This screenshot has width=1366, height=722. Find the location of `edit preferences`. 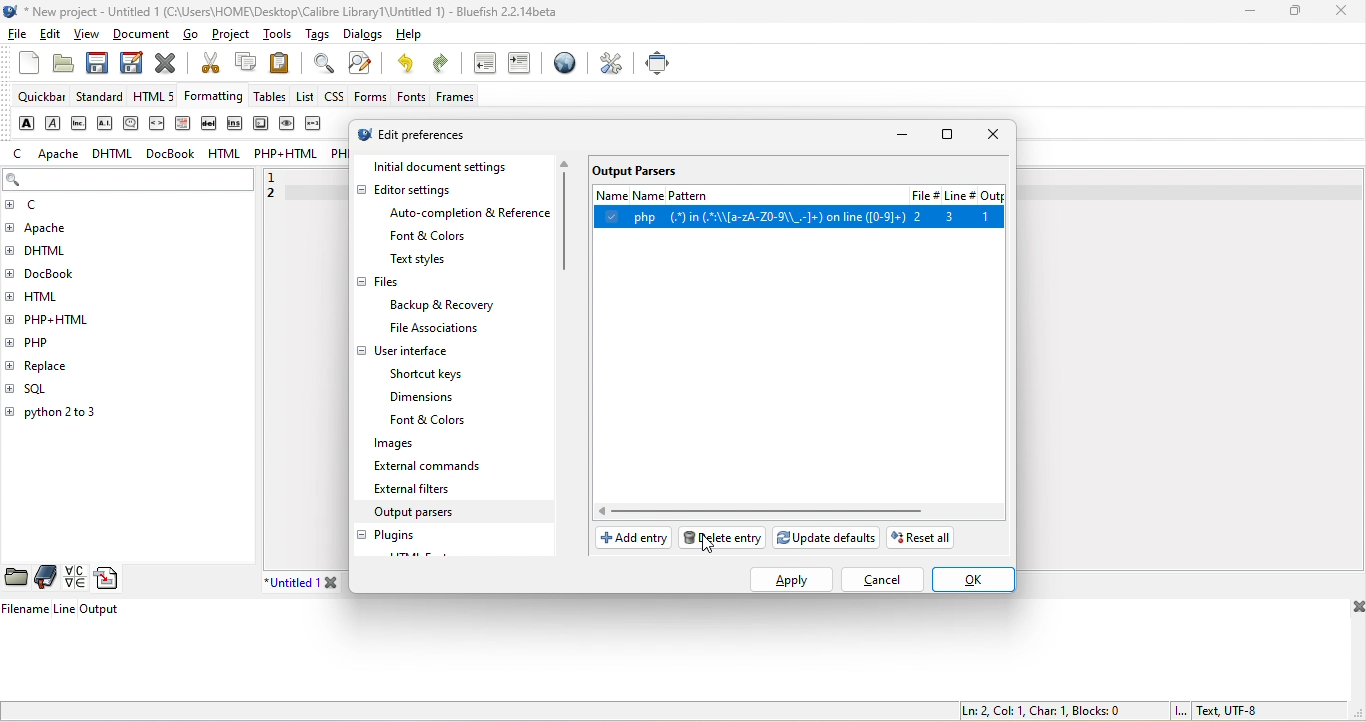

edit preferences is located at coordinates (431, 135).